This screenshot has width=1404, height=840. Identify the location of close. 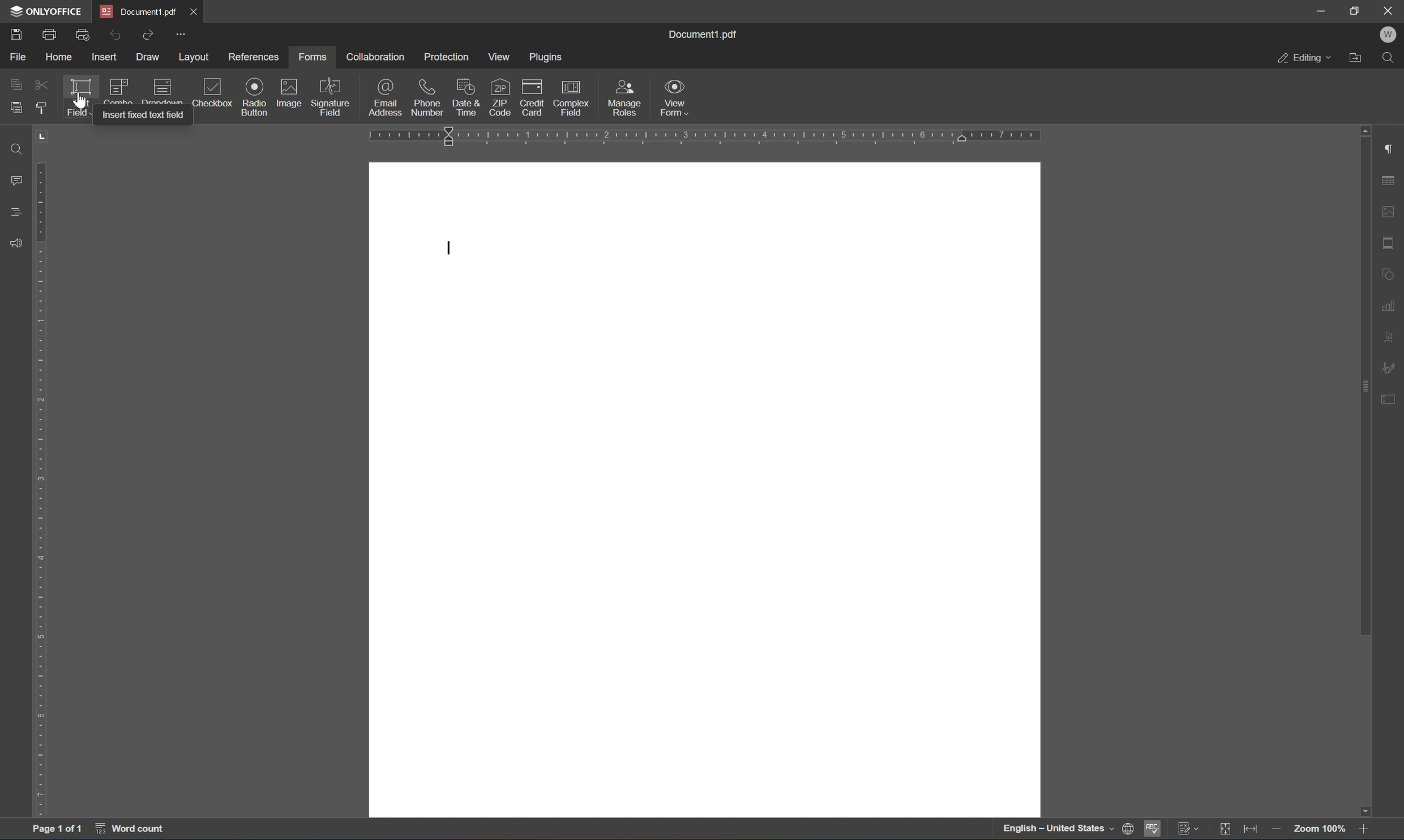
(1389, 9).